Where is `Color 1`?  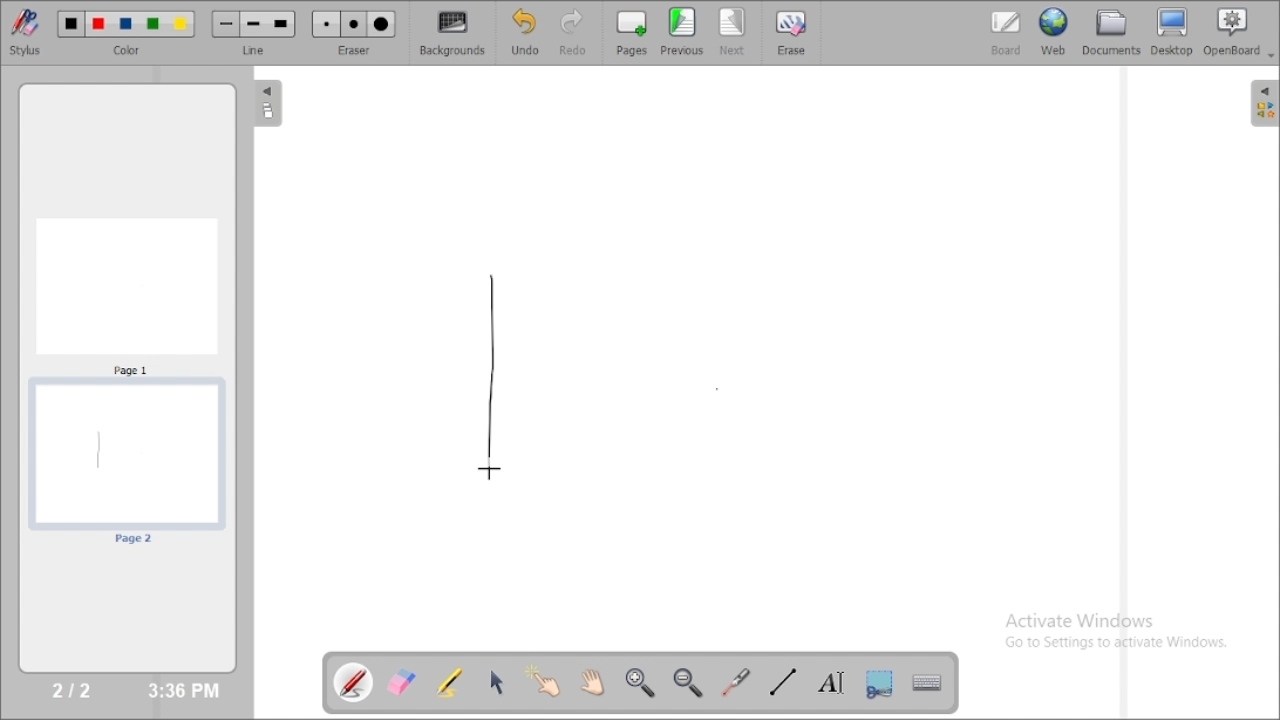
Color 1 is located at coordinates (72, 25).